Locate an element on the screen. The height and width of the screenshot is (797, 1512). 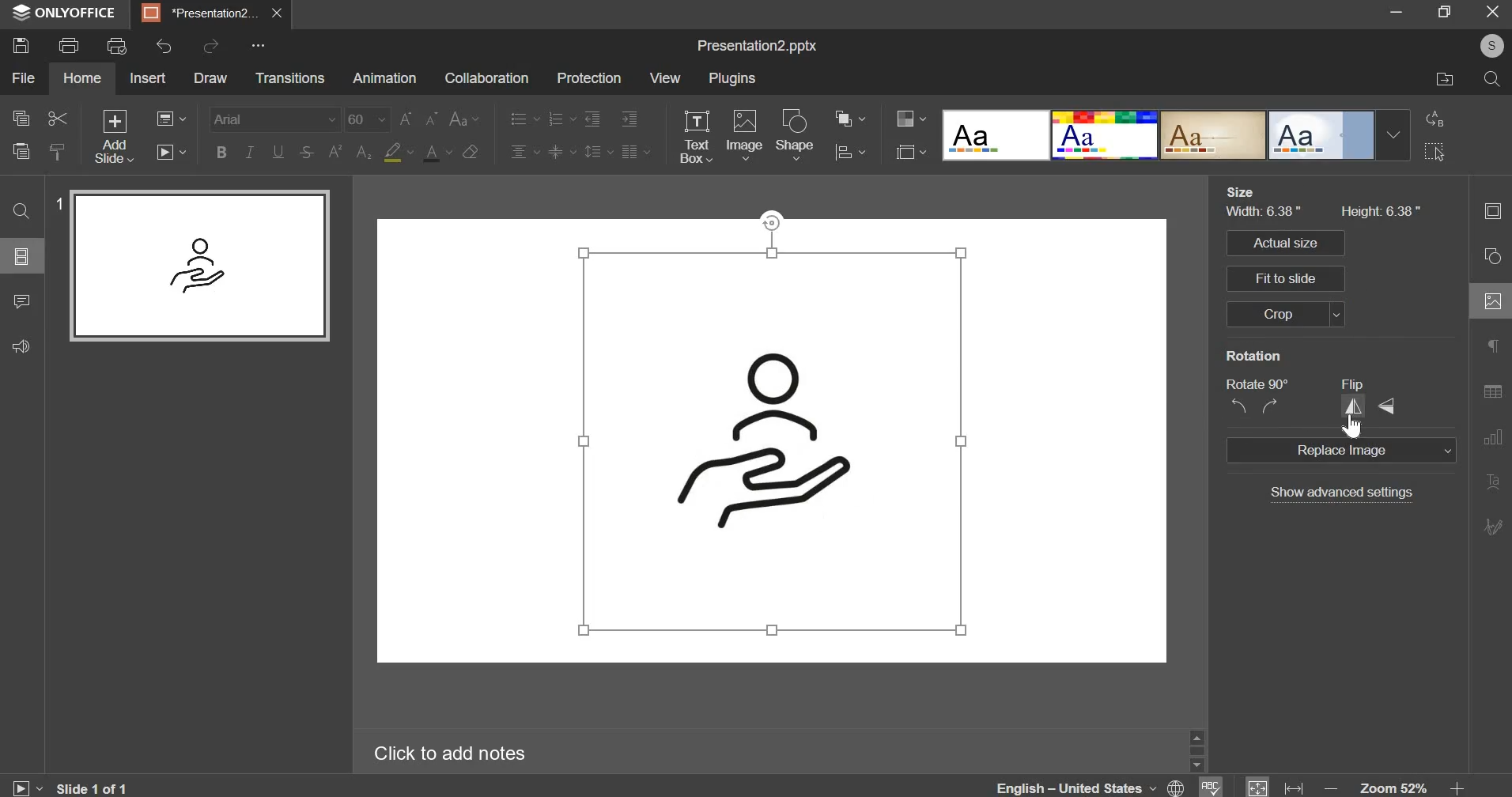
exit is located at coordinates (1492, 10).